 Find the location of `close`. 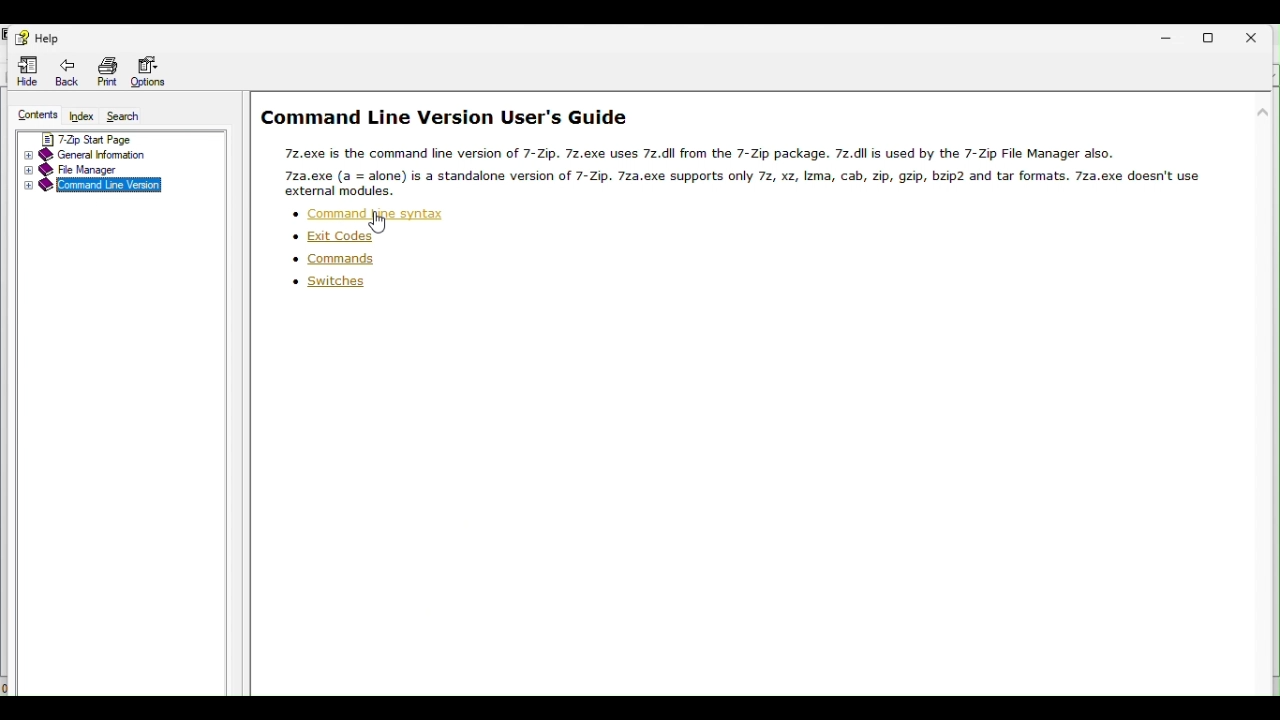

close is located at coordinates (1257, 36).